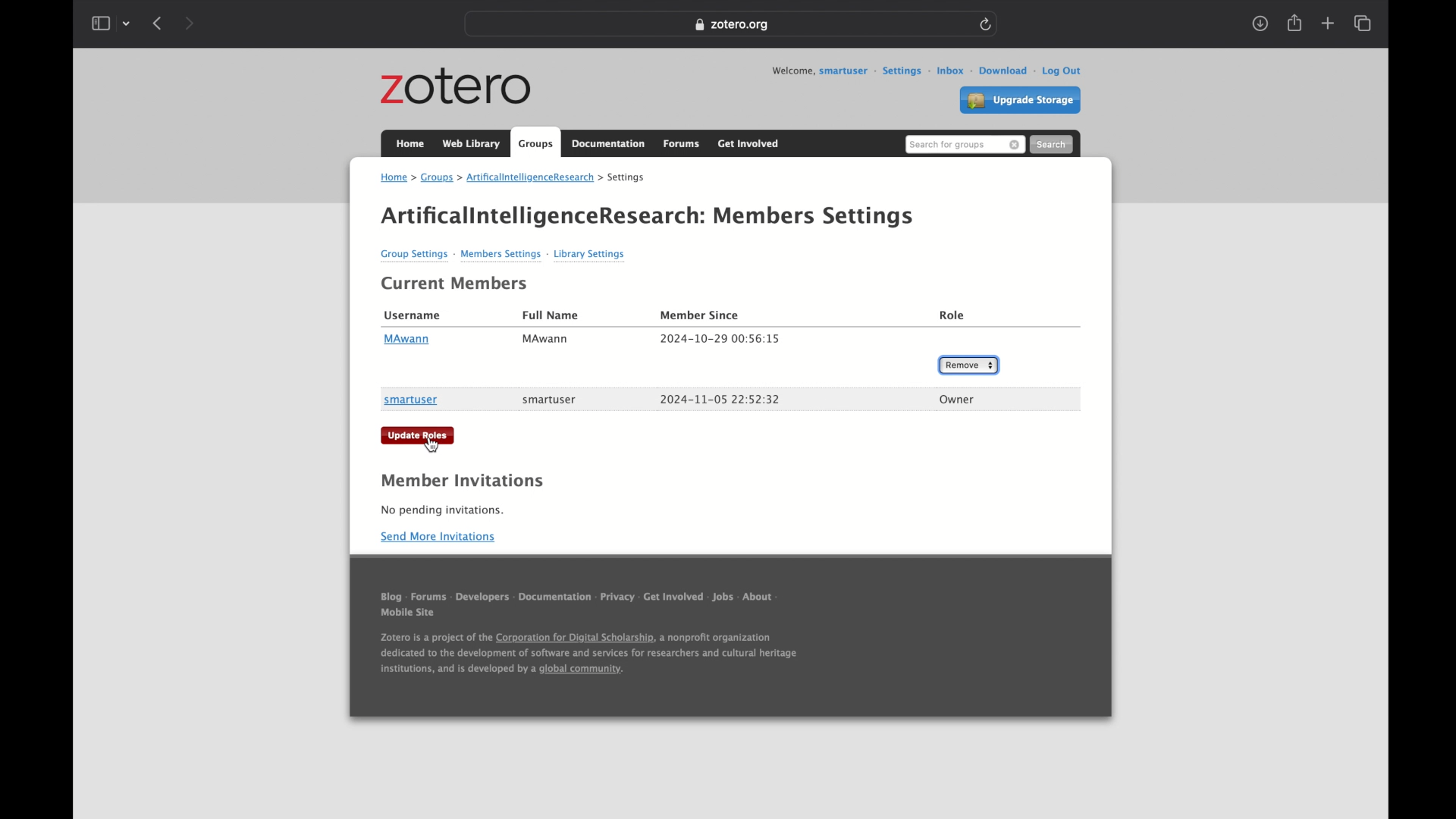 This screenshot has height=819, width=1456. Describe the element at coordinates (723, 600) in the screenshot. I see `jobs` at that location.